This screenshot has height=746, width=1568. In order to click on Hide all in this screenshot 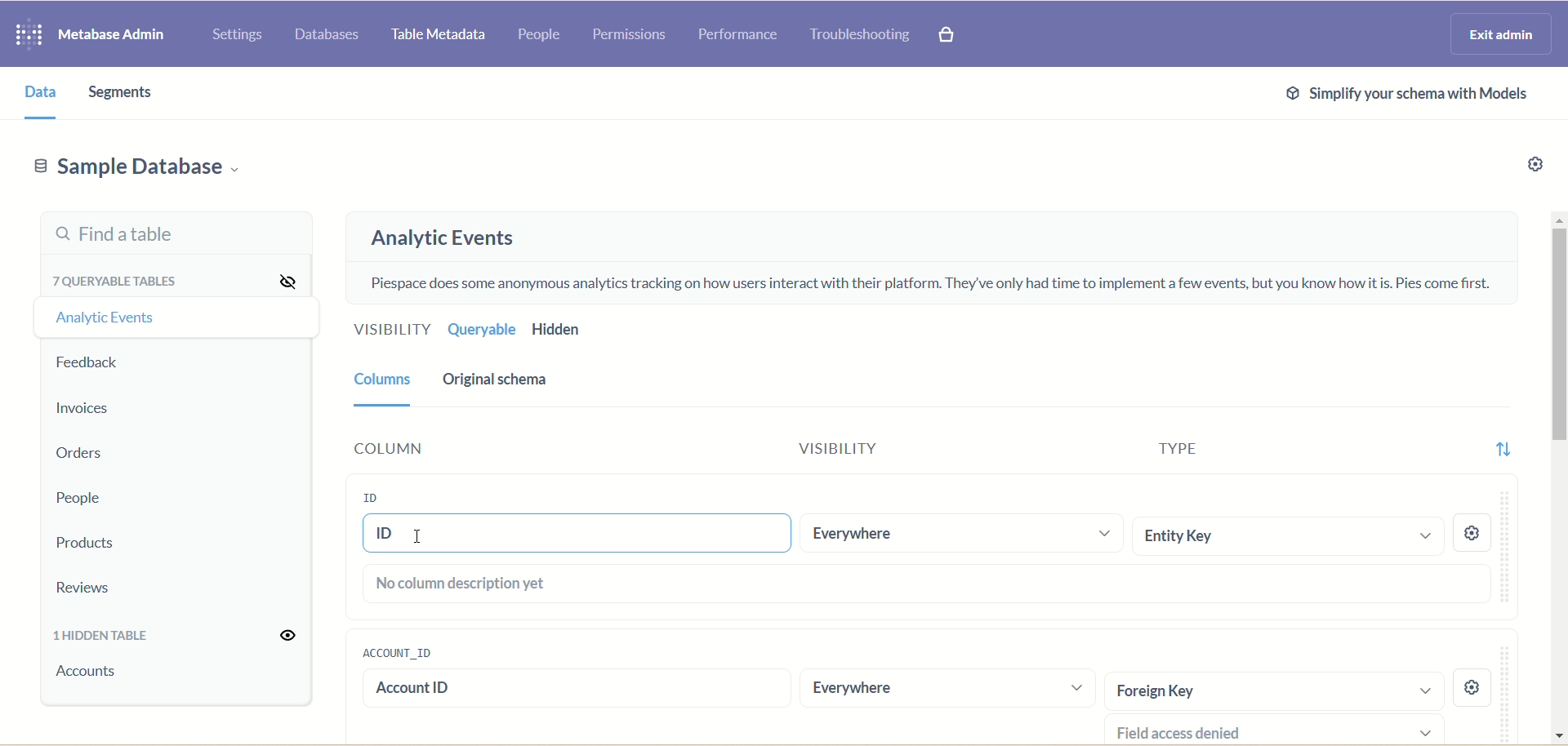, I will do `click(278, 279)`.